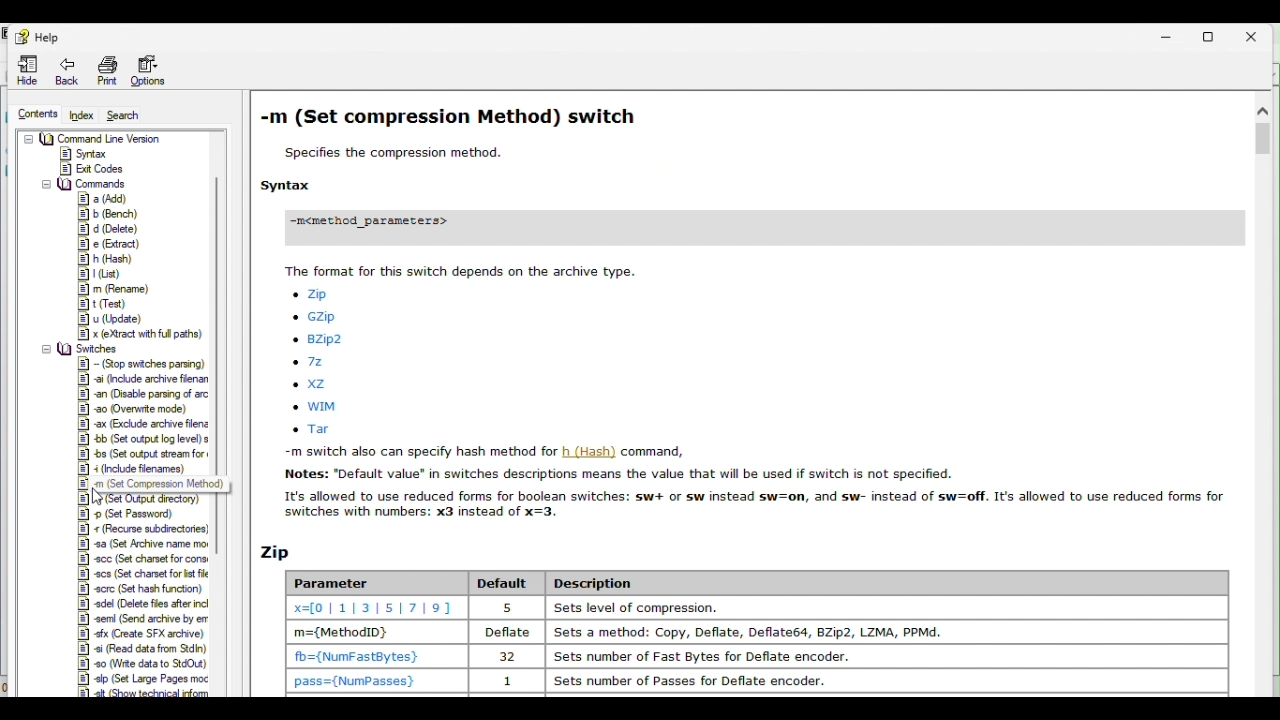 The image size is (1280, 720). What do you see at coordinates (84, 116) in the screenshot?
I see `Index` at bounding box center [84, 116].